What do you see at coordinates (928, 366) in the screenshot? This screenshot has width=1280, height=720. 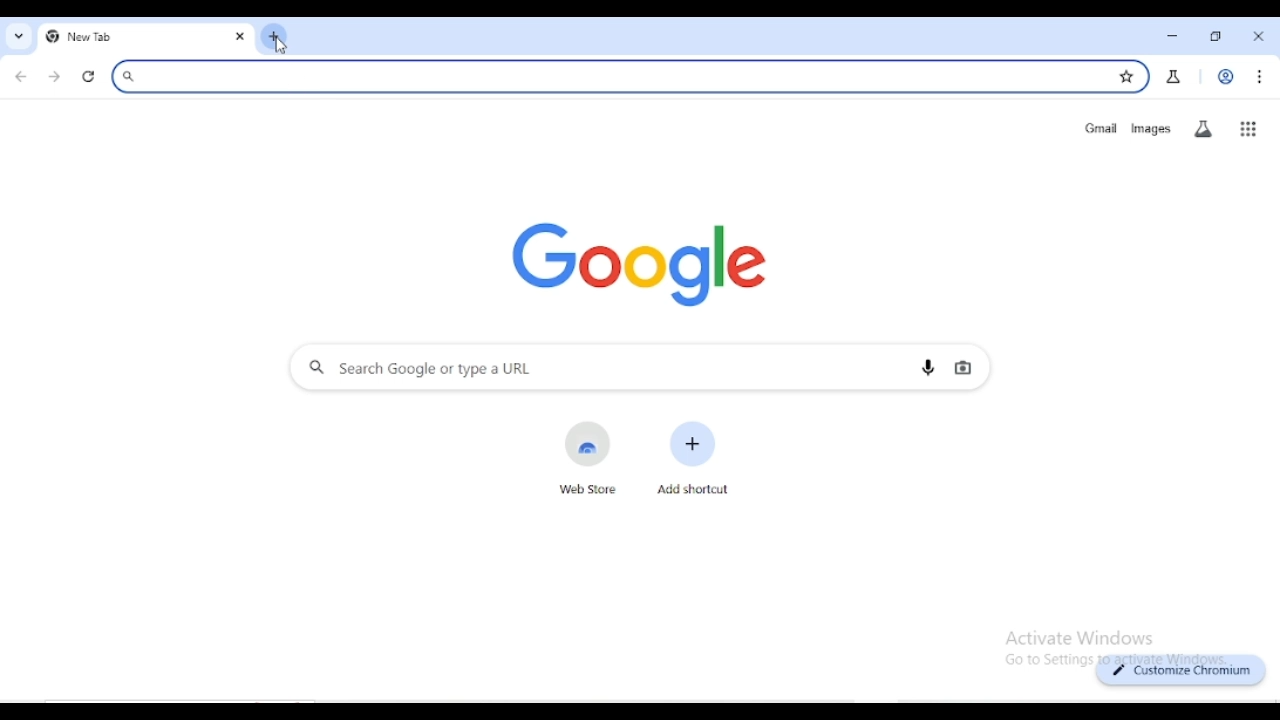 I see `search by voice` at bounding box center [928, 366].